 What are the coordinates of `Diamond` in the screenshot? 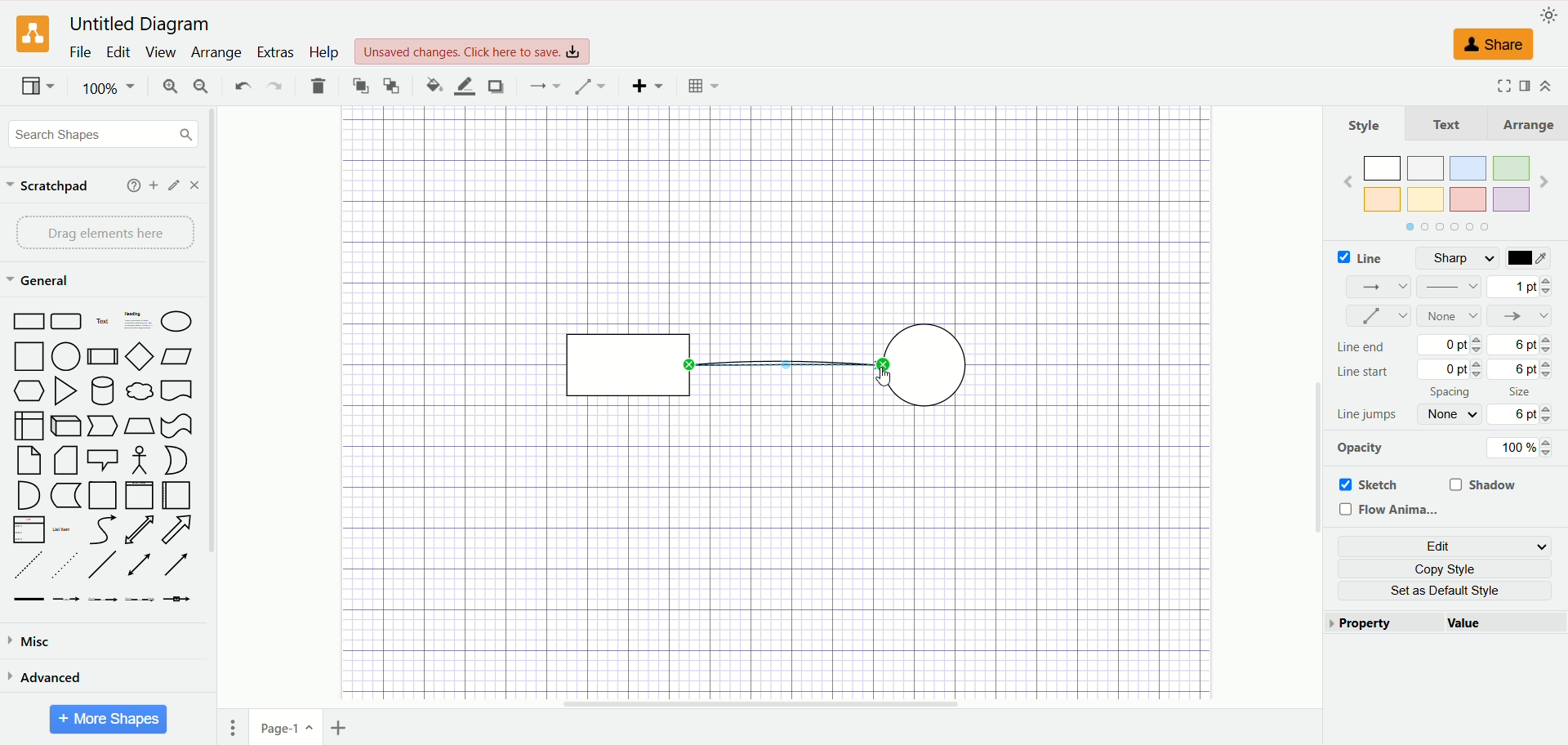 It's located at (140, 358).